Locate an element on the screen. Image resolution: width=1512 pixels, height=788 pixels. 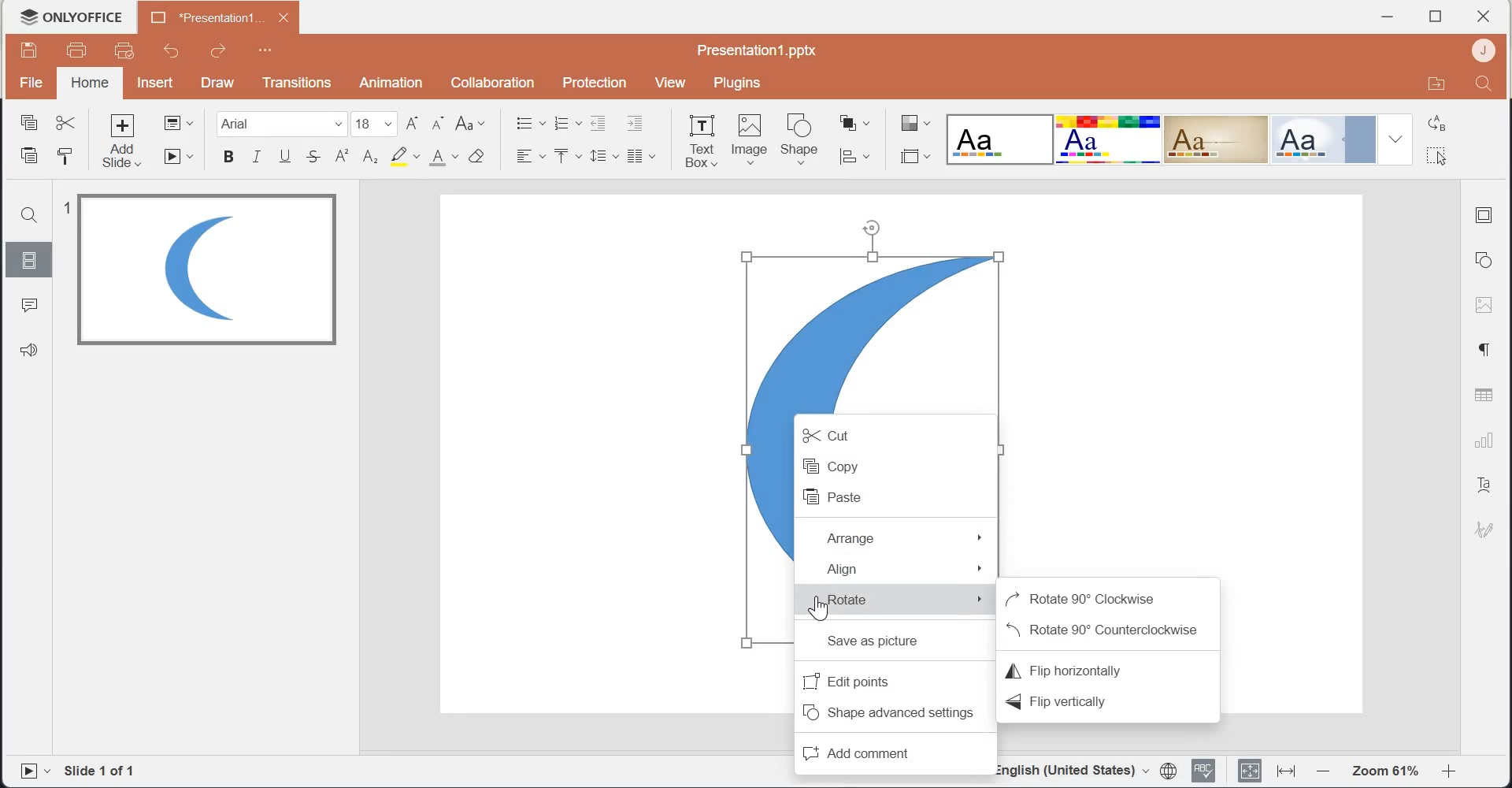
Arrange shape is located at coordinates (858, 124).